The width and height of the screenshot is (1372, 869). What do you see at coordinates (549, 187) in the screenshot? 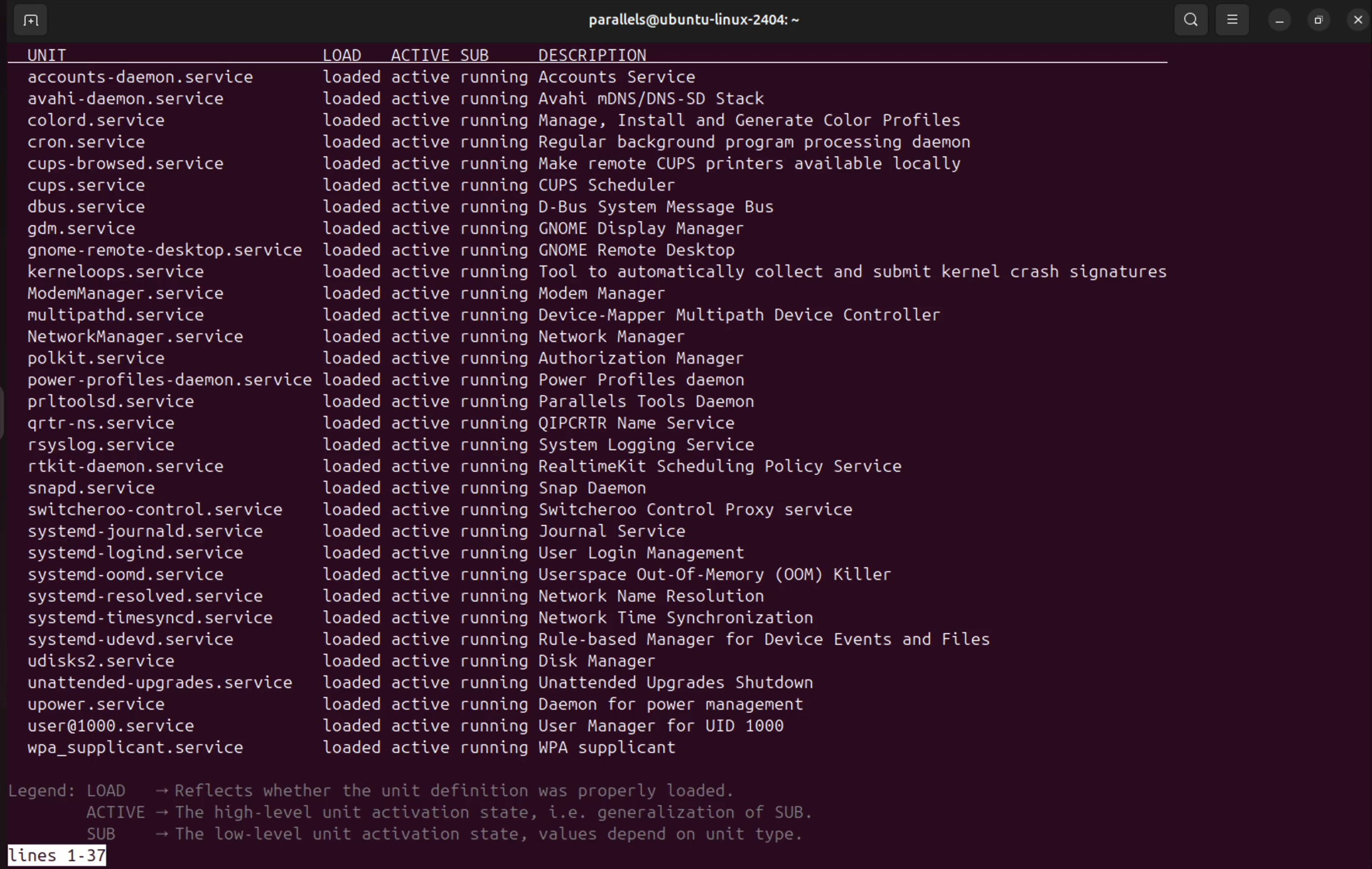
I see `active running ` at bounding box center [549, 187].